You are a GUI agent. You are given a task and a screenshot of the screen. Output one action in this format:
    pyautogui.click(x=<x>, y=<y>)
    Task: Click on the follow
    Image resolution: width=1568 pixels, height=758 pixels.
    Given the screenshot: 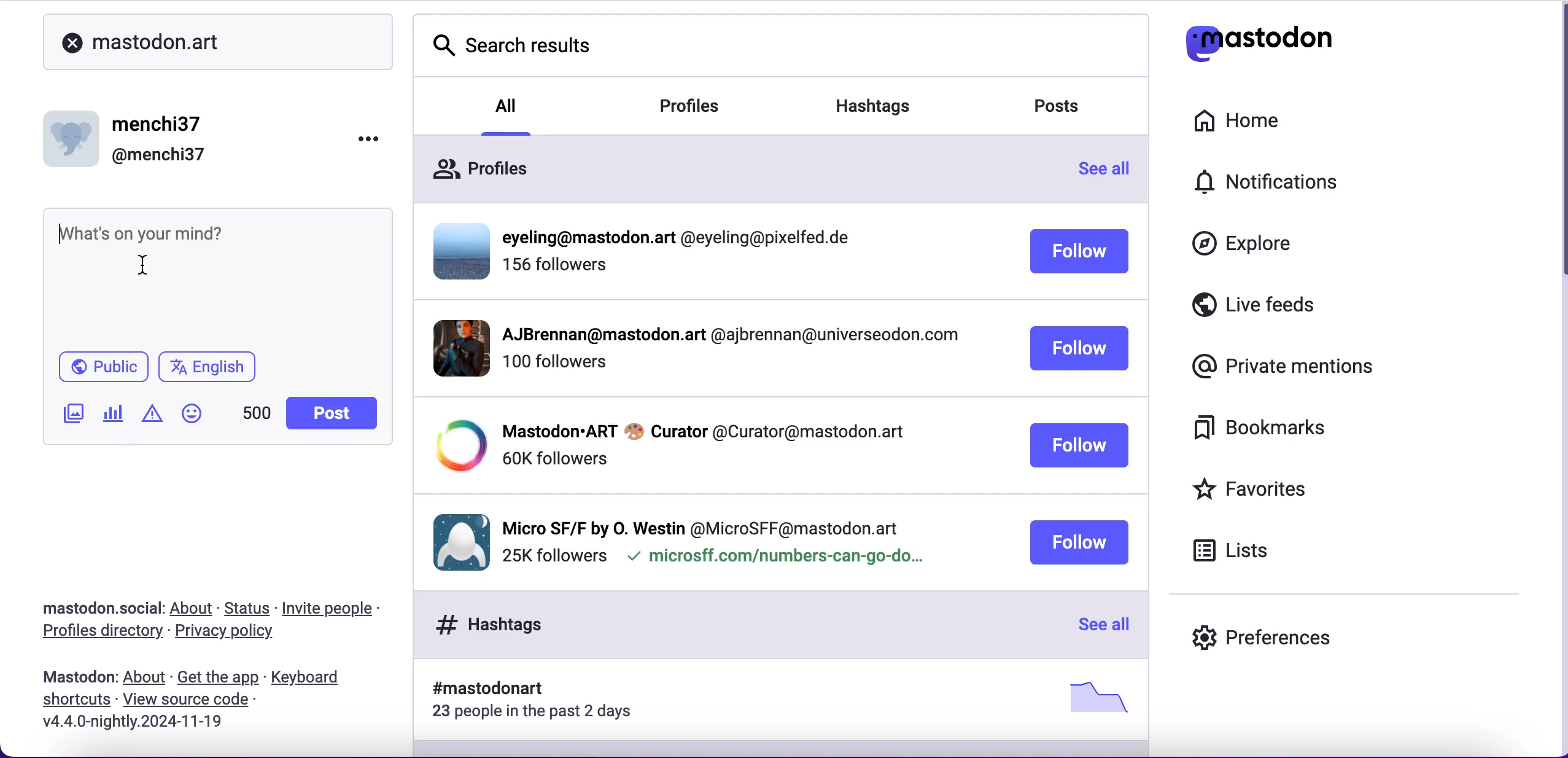 What is the action you would take?
    pyautogui.click(x=1079, y=446)
    